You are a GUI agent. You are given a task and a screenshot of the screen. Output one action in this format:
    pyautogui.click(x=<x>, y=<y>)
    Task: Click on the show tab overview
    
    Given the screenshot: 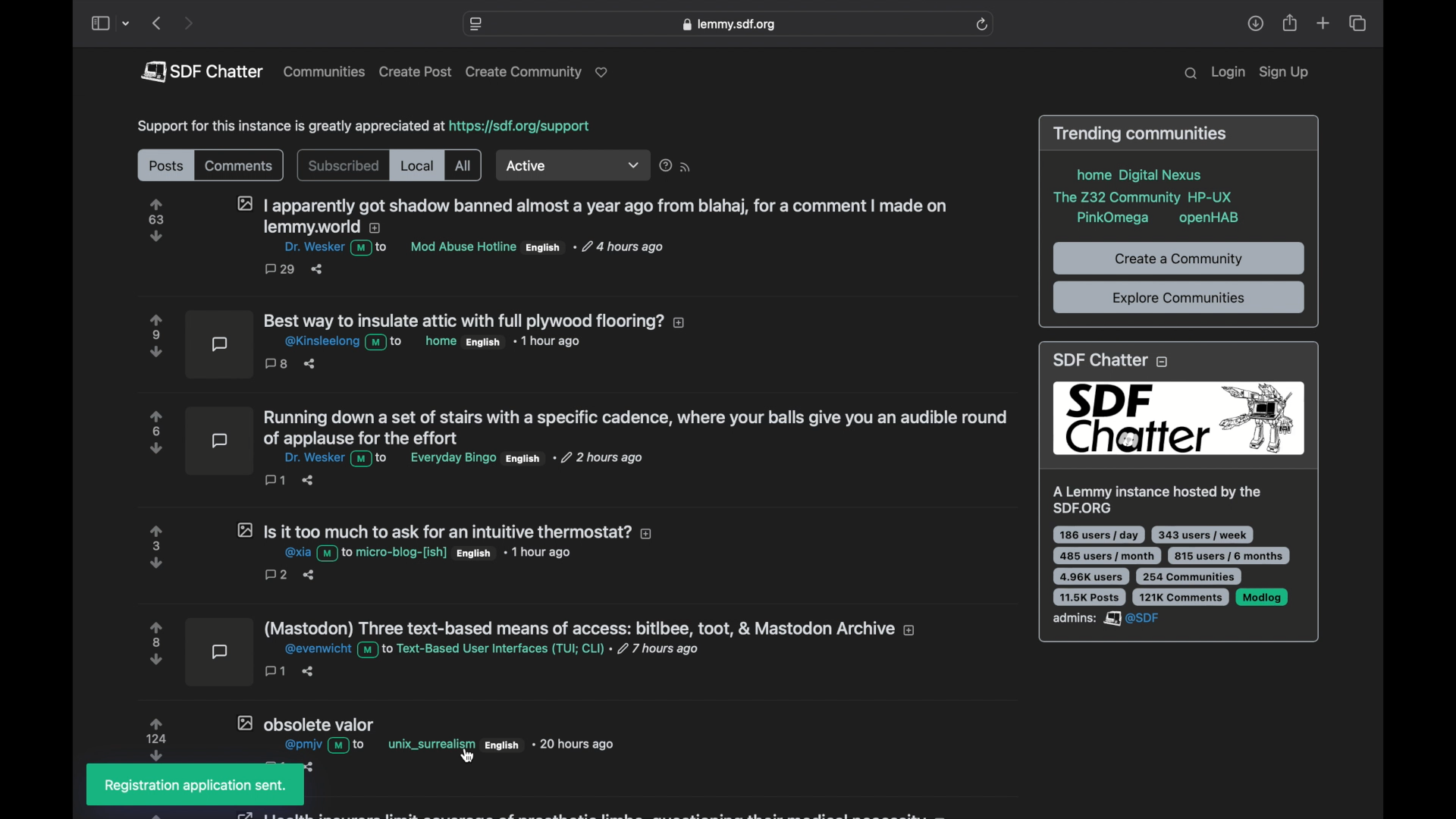 What is the action you would take?
    pyautogui.click(x=1357, y=24)
    